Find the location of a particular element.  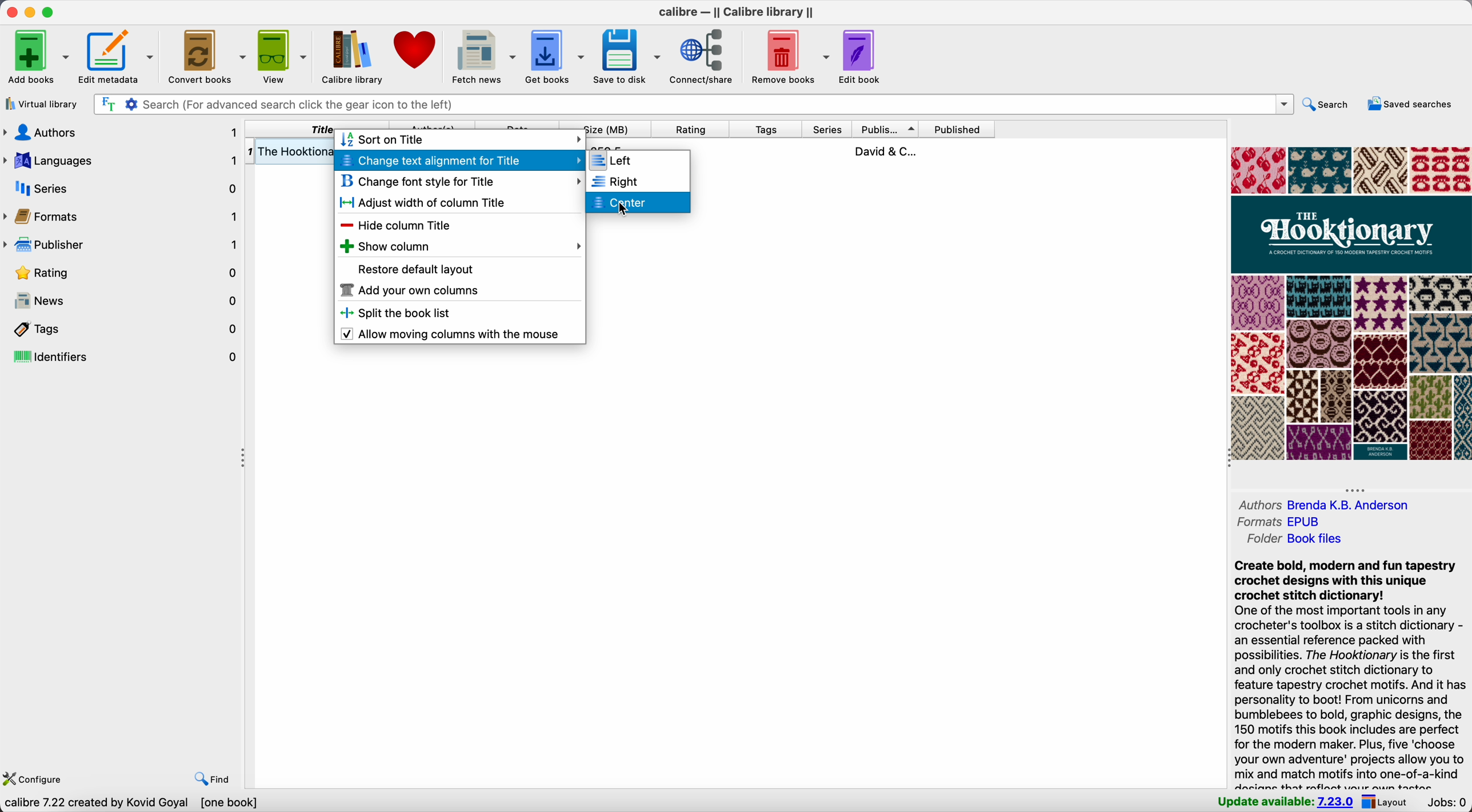

rating is located at coordinates (122, 275).